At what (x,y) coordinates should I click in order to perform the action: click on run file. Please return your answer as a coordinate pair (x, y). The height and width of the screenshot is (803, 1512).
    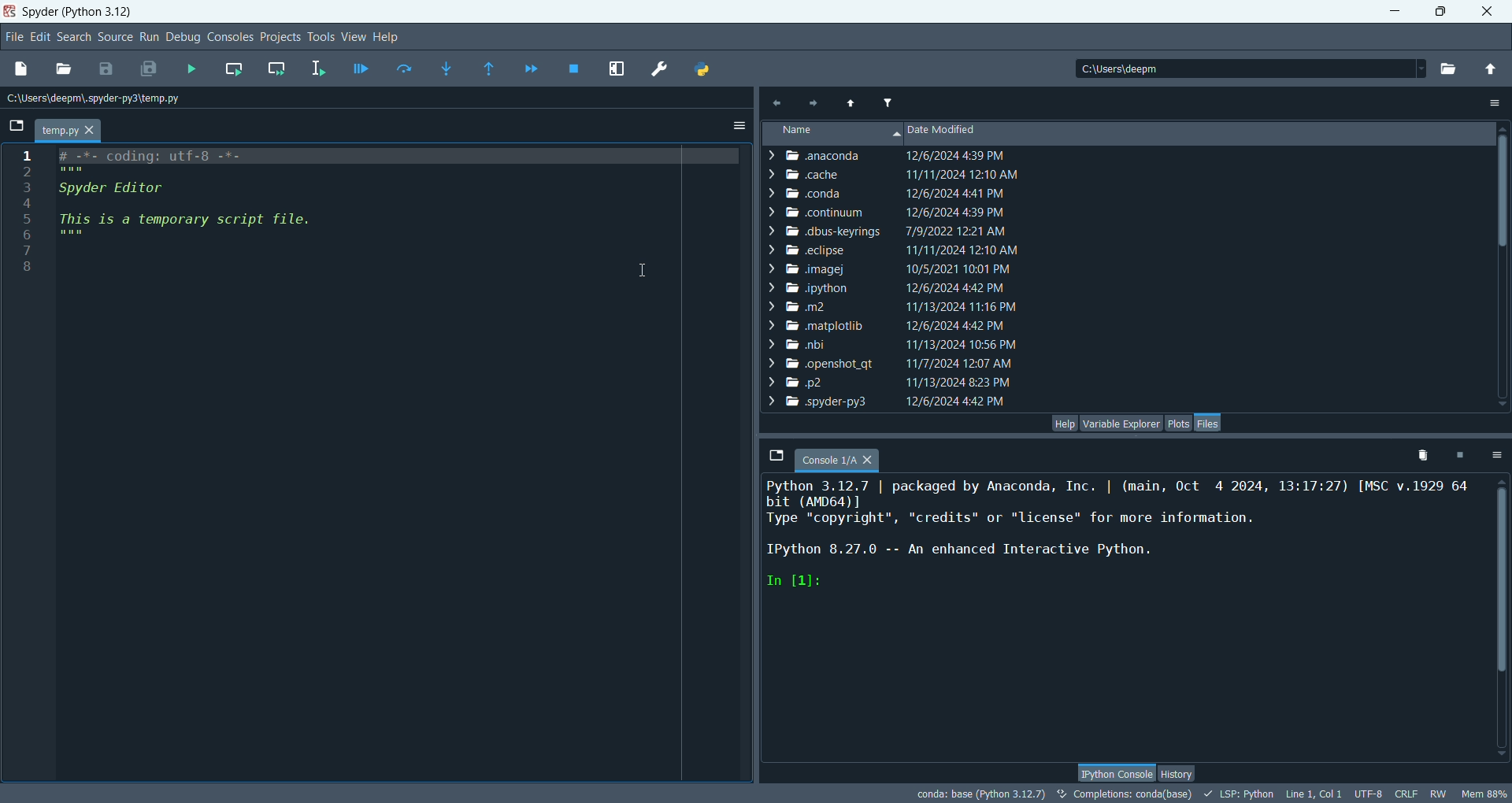
    Looking at the image, I should click on (192, 68).